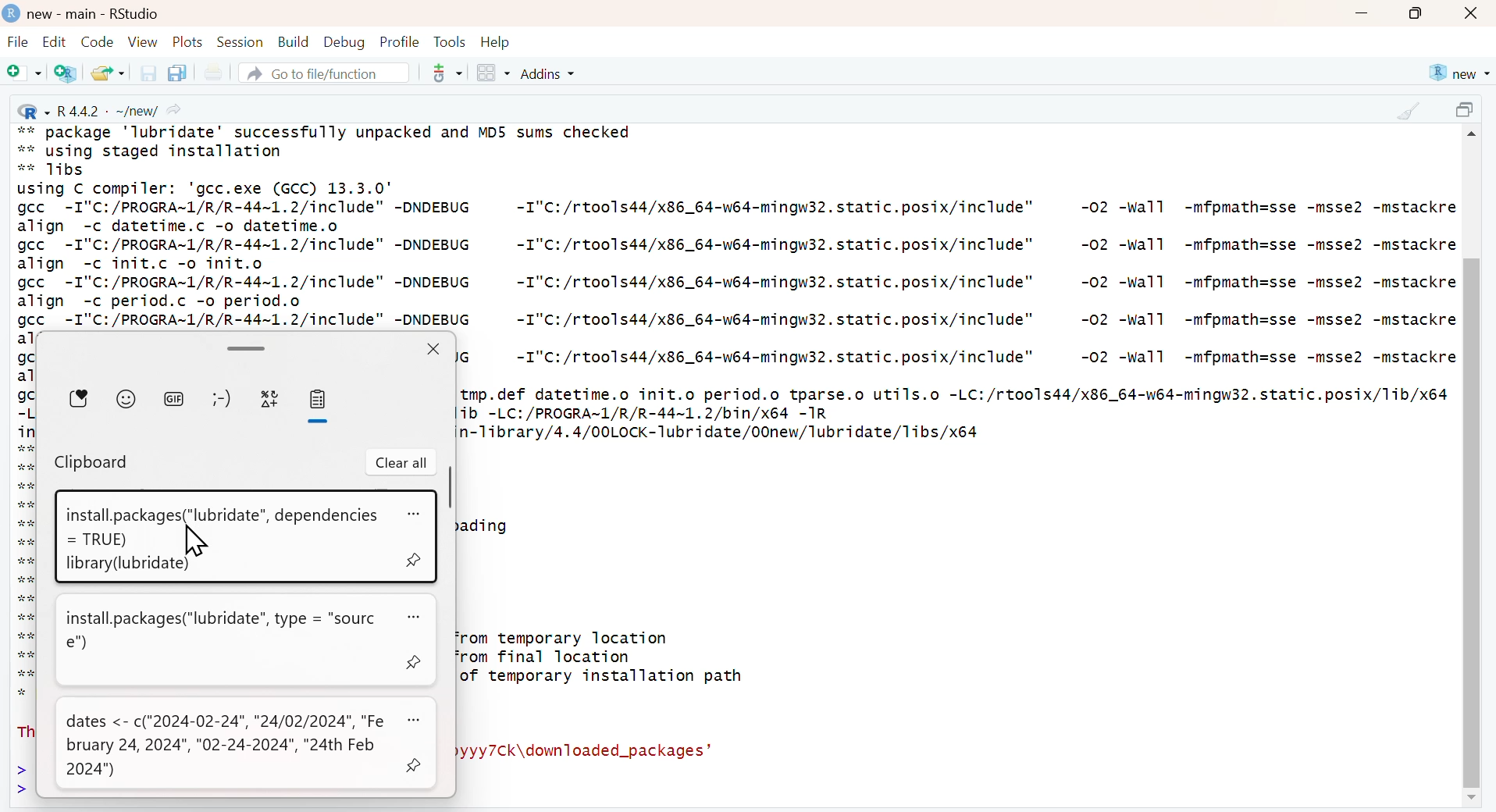 This screenshot has height=812, width=1496. I want to click on scroll bar, so click(1470, 522).